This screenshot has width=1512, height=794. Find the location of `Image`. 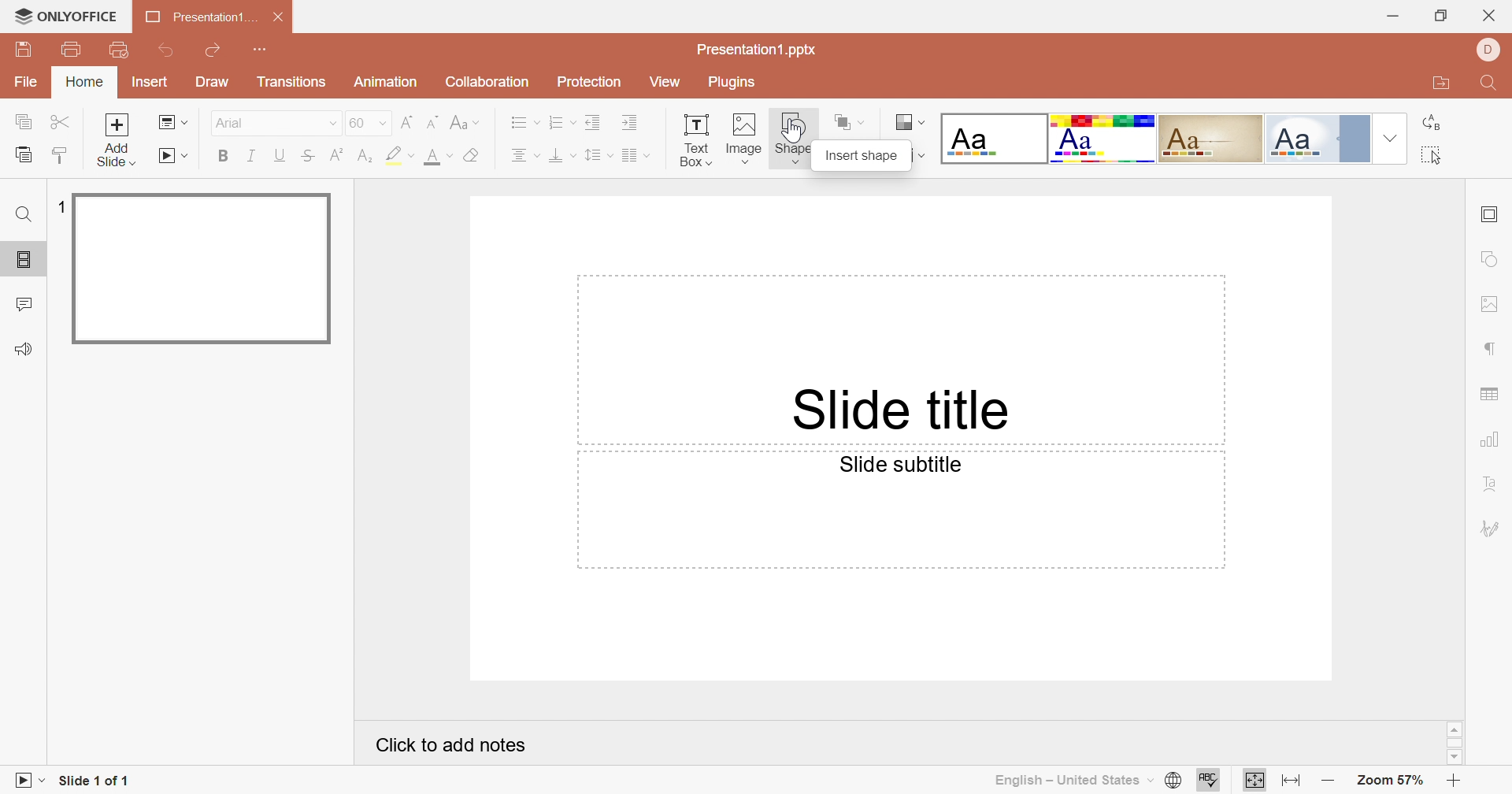

Image is located at coordinates (742, 139).